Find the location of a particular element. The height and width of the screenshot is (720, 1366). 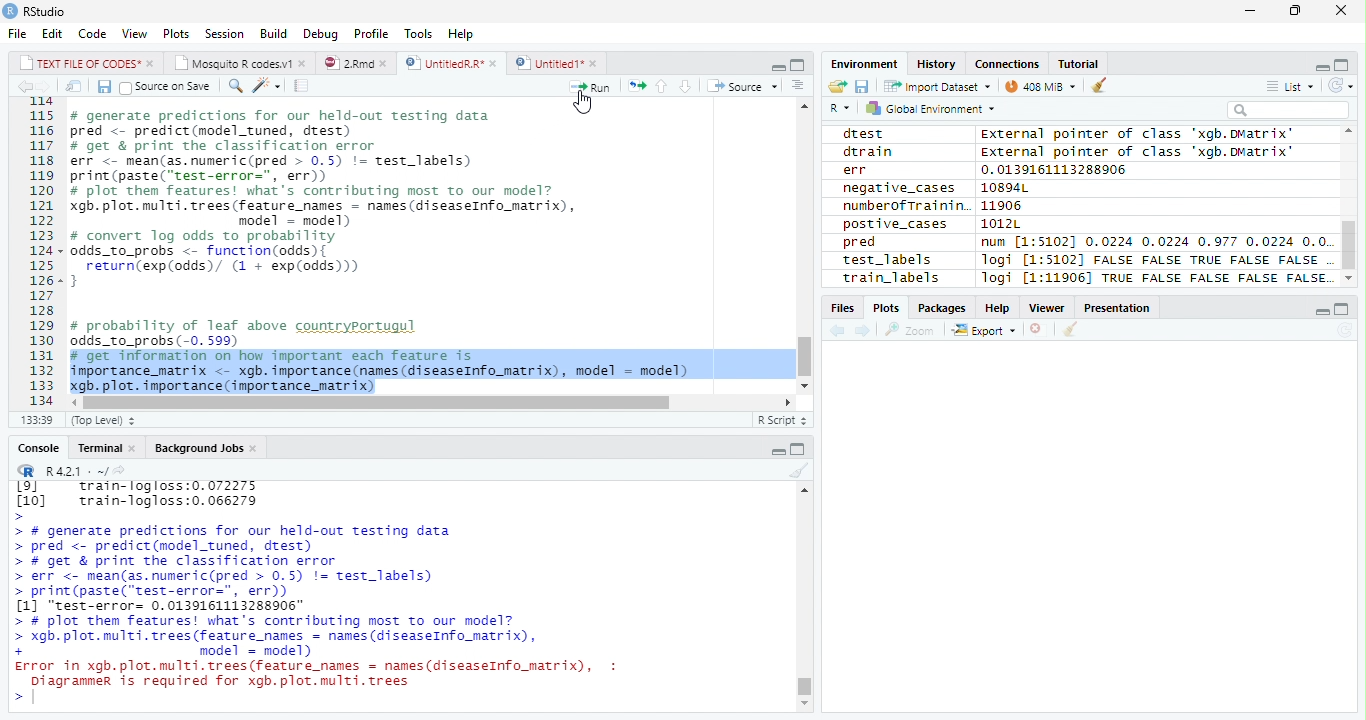

Restore Down is located at coordinates (1294, 11).